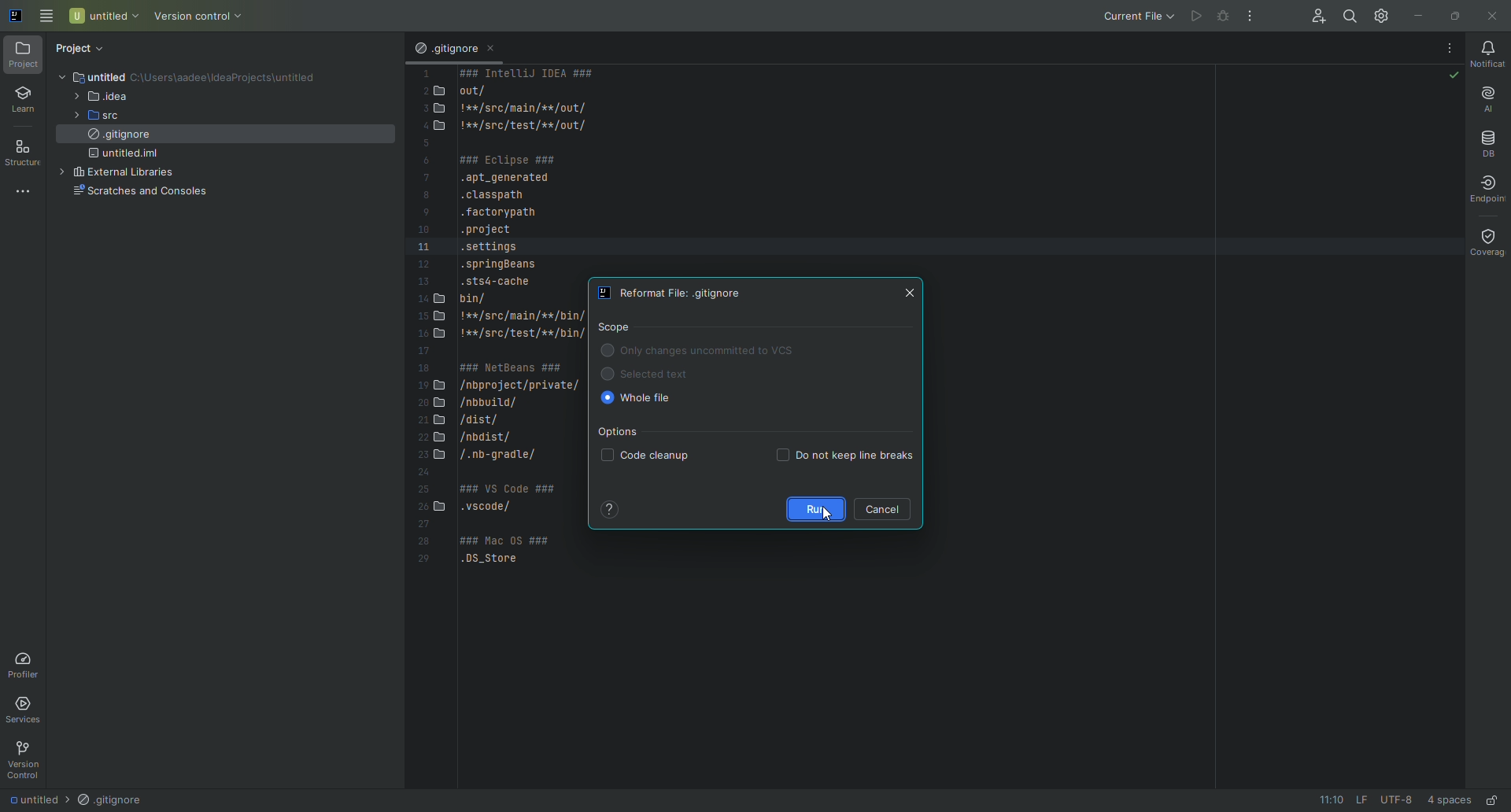 The height and width of the screenshot is (812, 1511). What do you see at coordinates (14, 13) in the screenshot?
I see `Application logo` at bounding box center [14, 13].